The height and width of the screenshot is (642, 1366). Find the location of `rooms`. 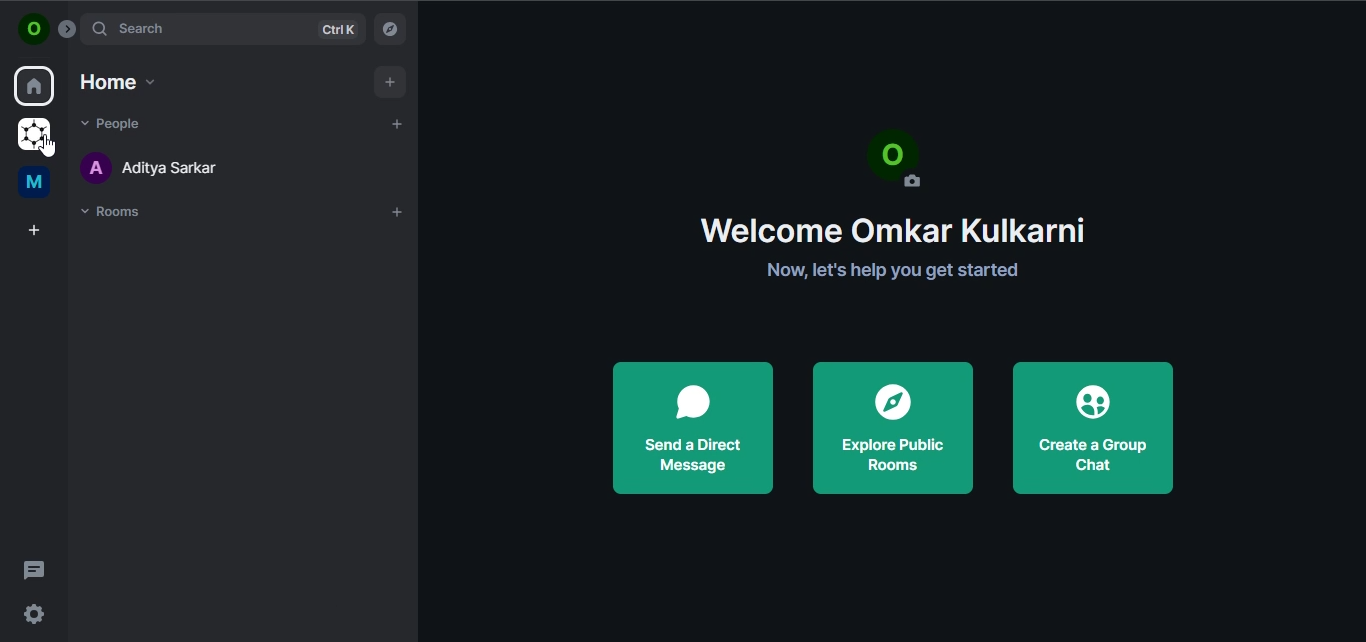

rooms is located at coordinates (117, 212).